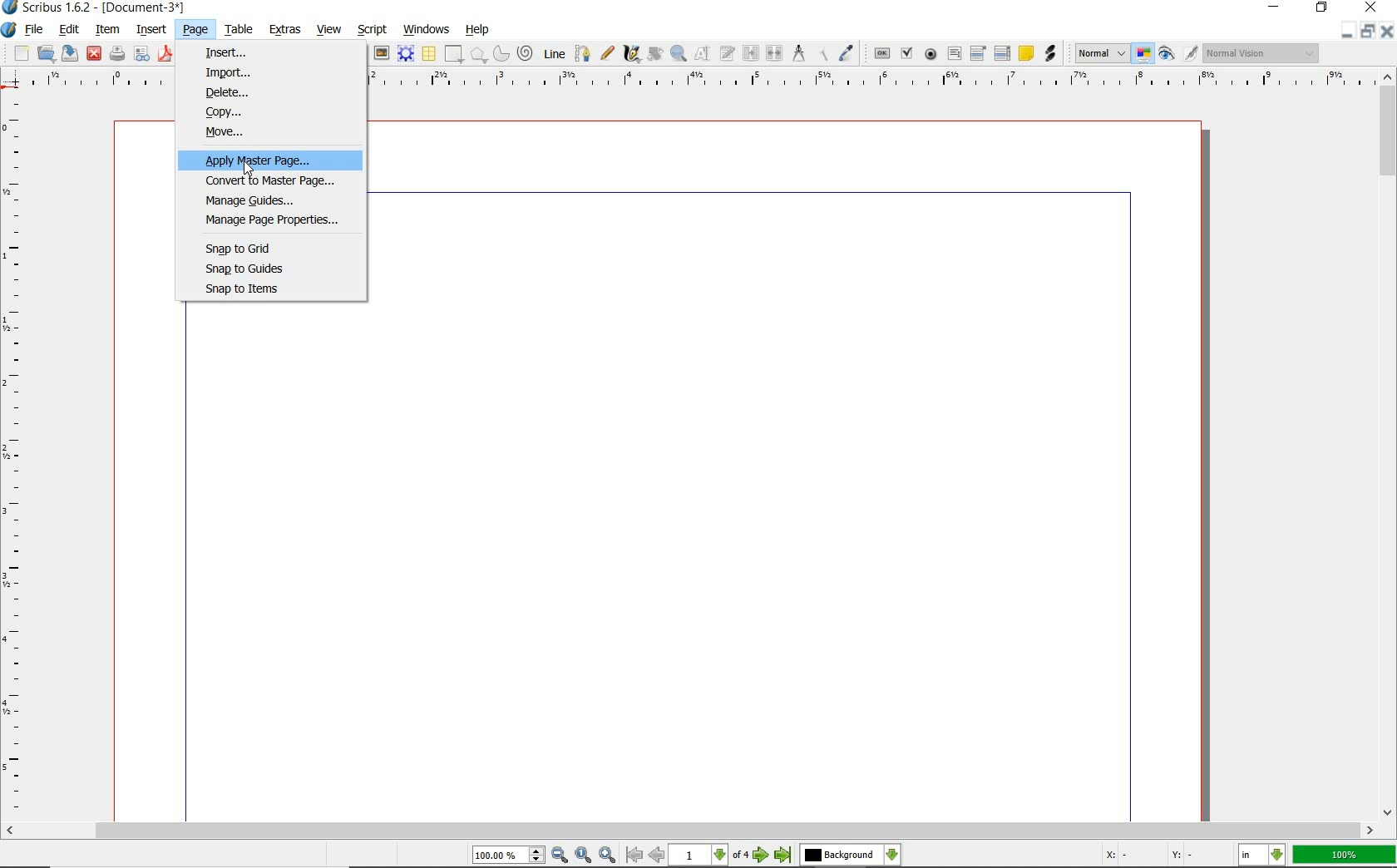  Describe the element at coordinates (1100, 52) in the screenshot. I see `select image preview mode: Normal` at that location.